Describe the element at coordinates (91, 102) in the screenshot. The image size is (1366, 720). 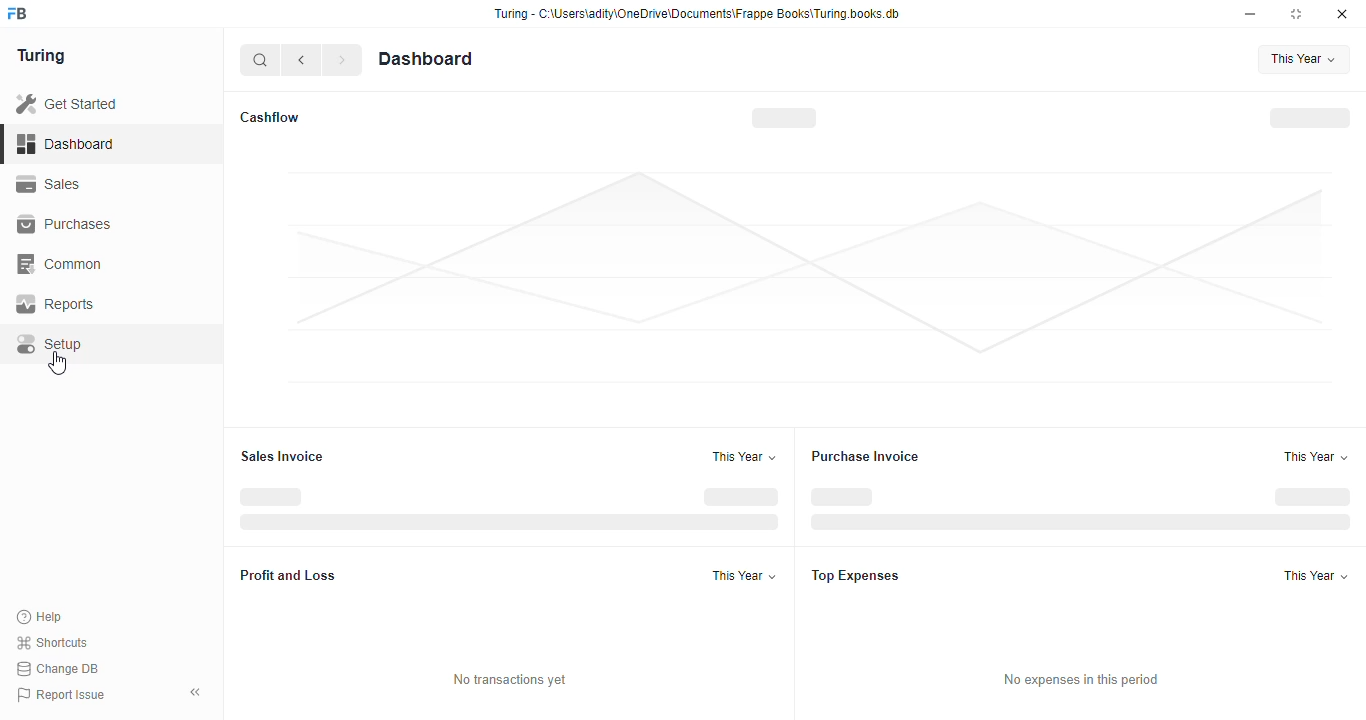
I see `Get Started` at that location.